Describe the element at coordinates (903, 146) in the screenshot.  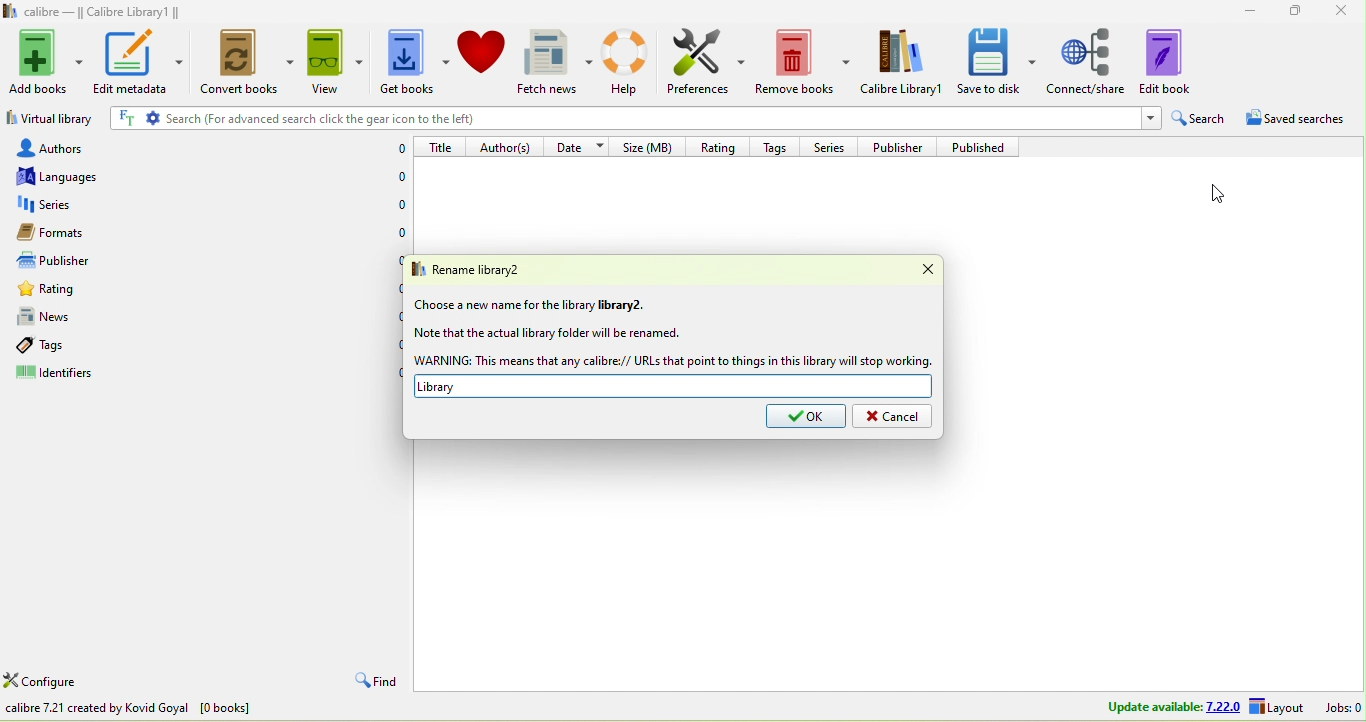
I see `publisher` at that location.